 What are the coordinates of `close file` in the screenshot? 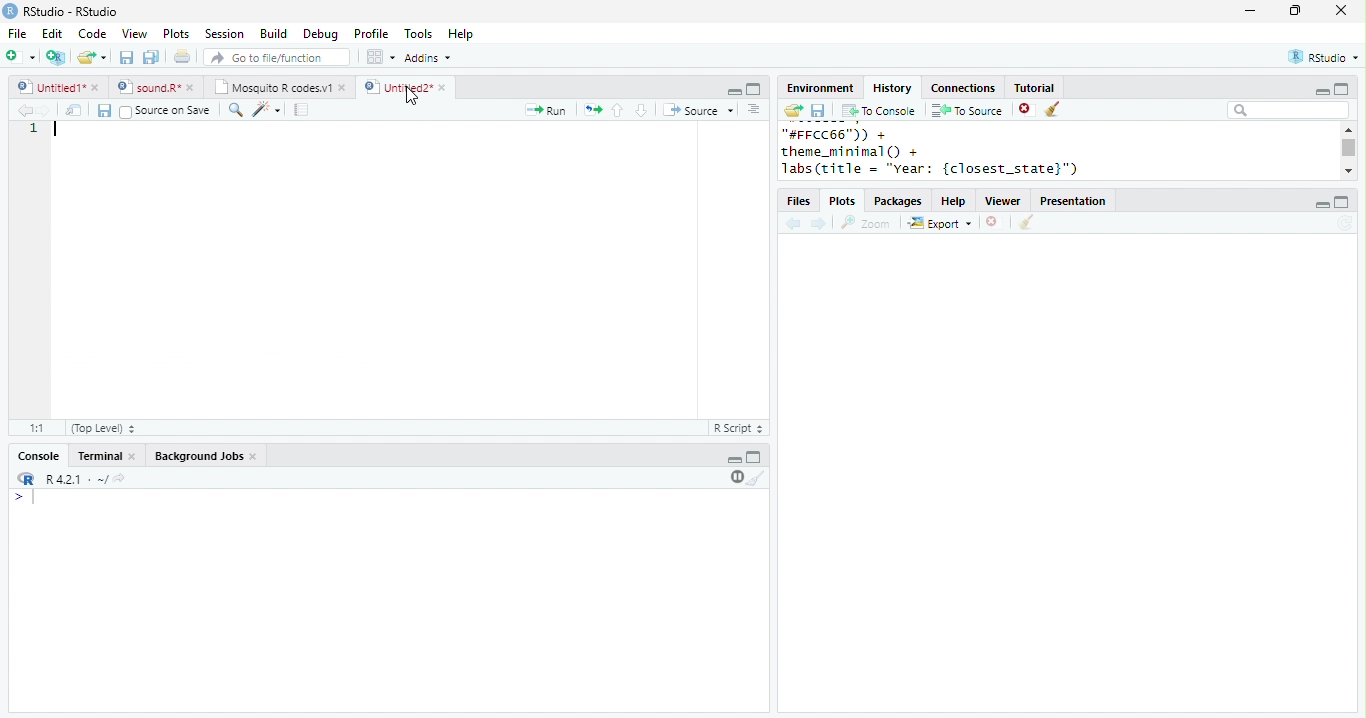 It's located at (995, 223).